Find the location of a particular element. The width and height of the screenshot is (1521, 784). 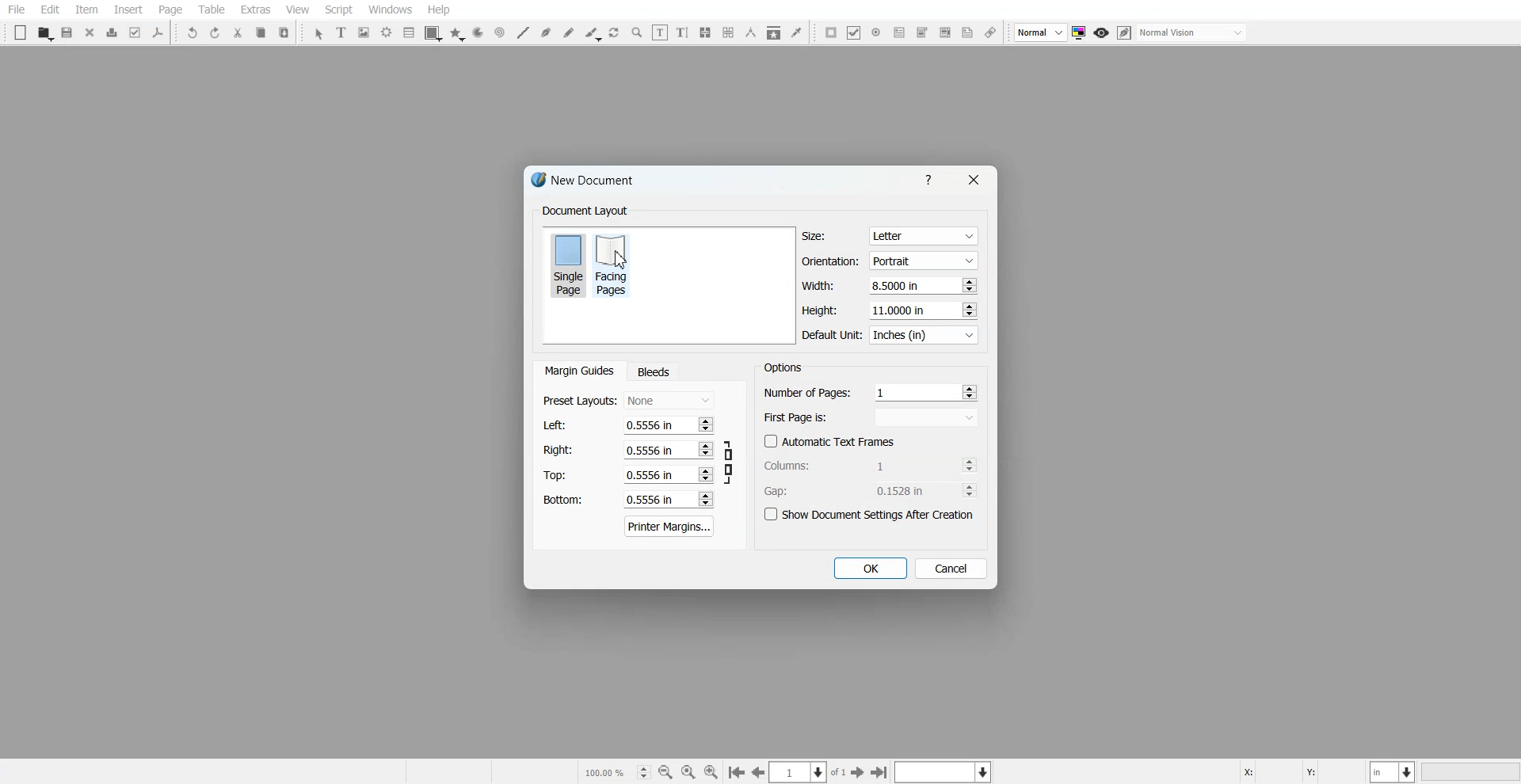

0.5556 in is located at coordinates (650, 475).